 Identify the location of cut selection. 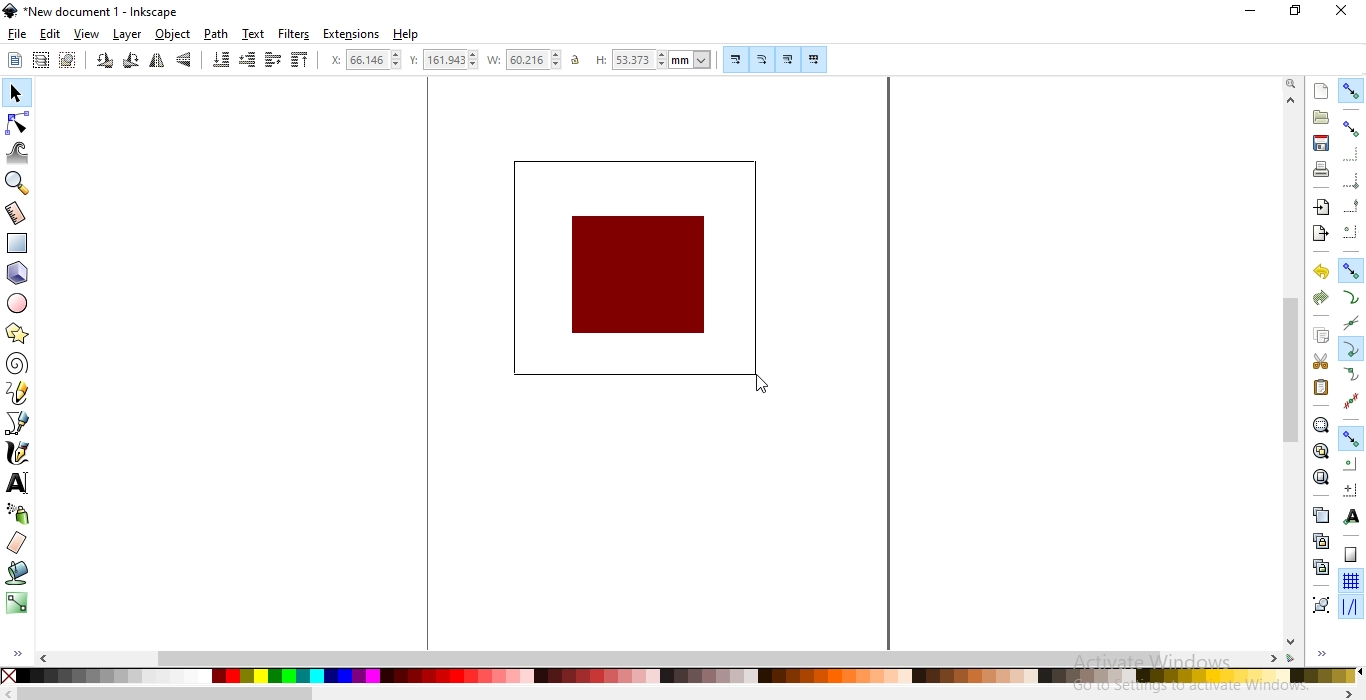
(1318, 362).